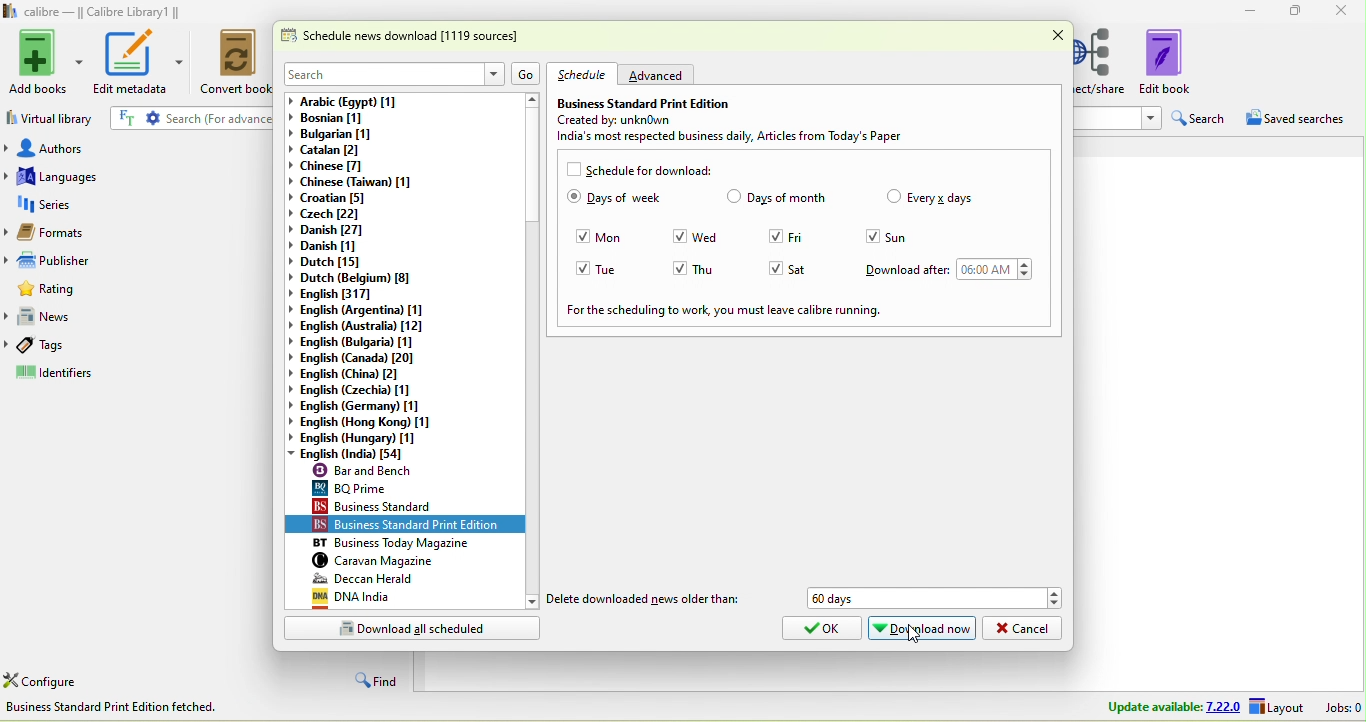  I want to click on Checkbox, so click(773, 269).